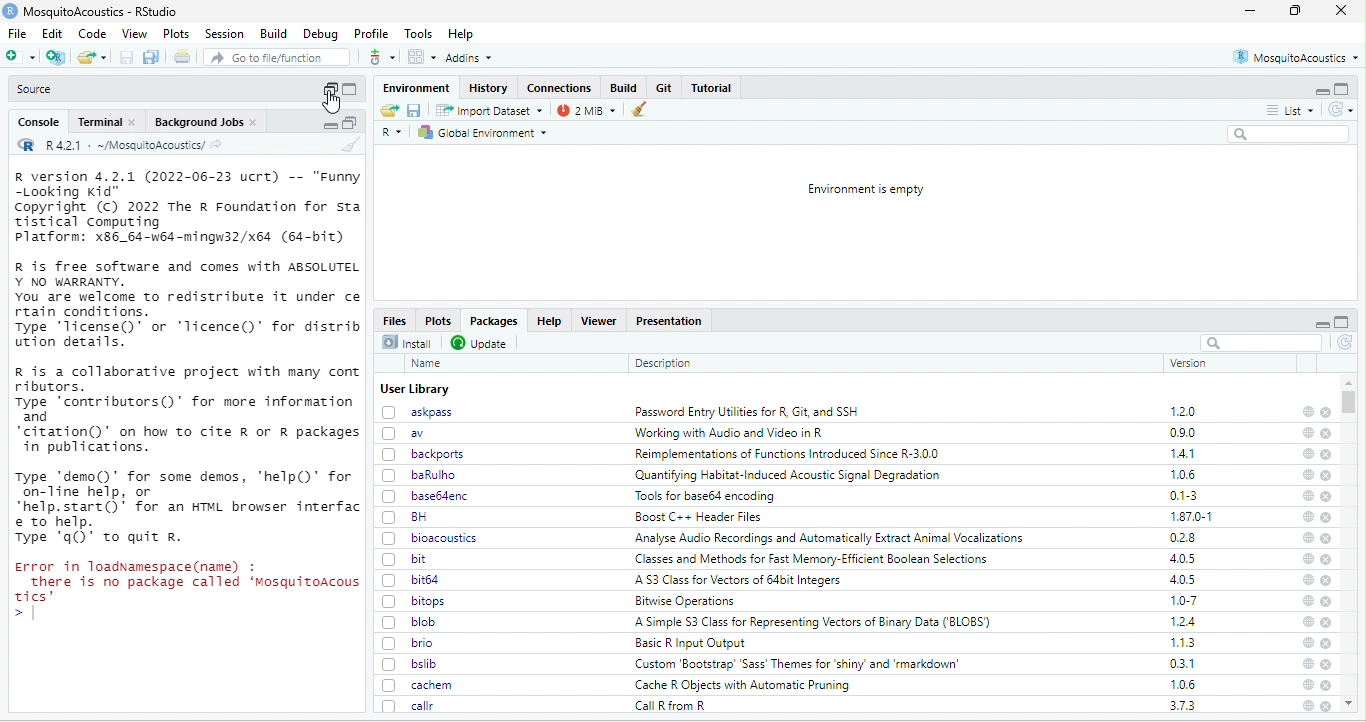 Image resolution: width=1366 pixels, height=722 pixels. Describe the element at coordinates (407, 559) in the screenshot. I see `bit` at that location.